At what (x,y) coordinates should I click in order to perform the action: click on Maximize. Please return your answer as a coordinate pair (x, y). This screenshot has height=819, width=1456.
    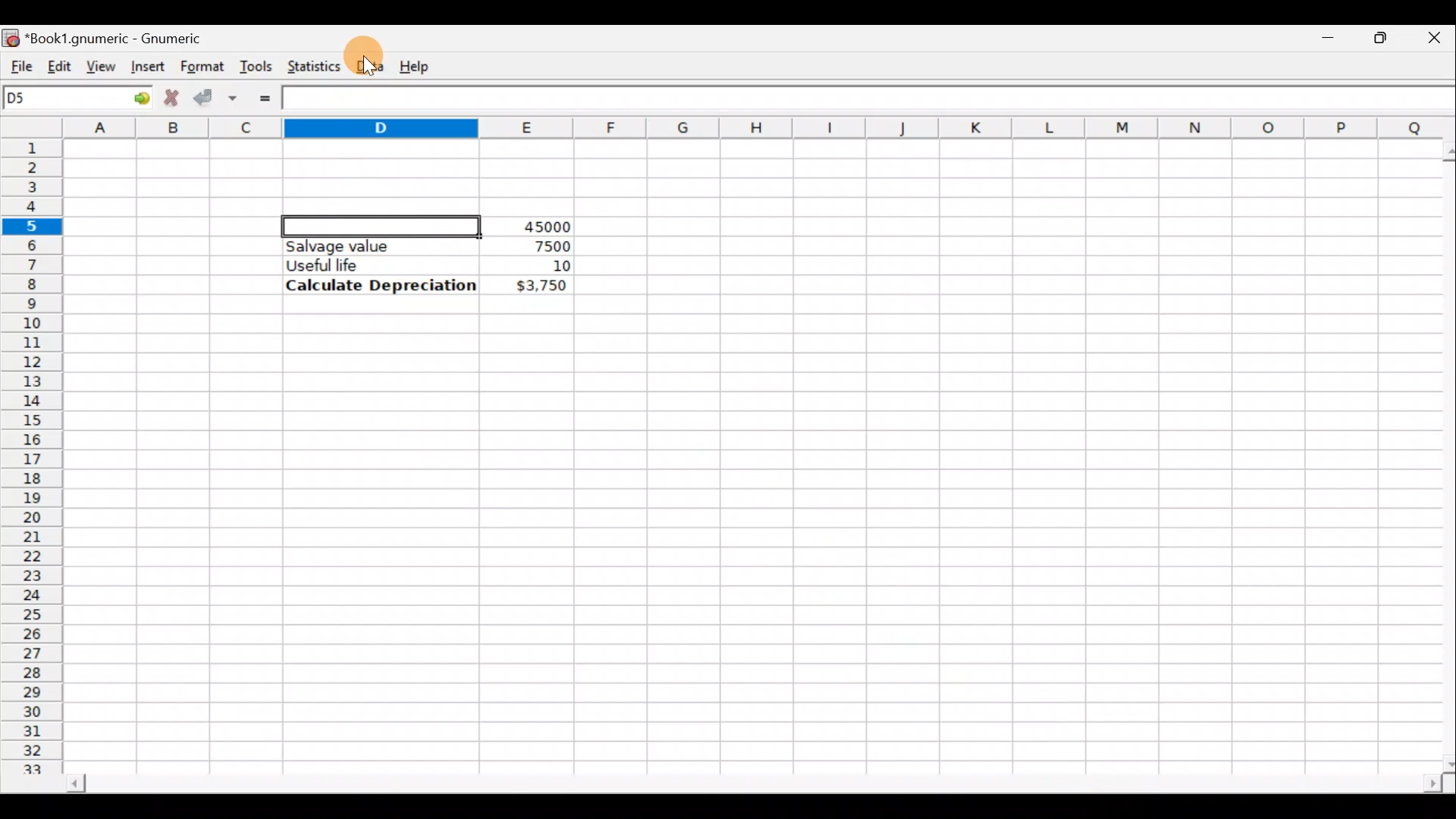
    Looking at the image, I should click on (1384, 35).